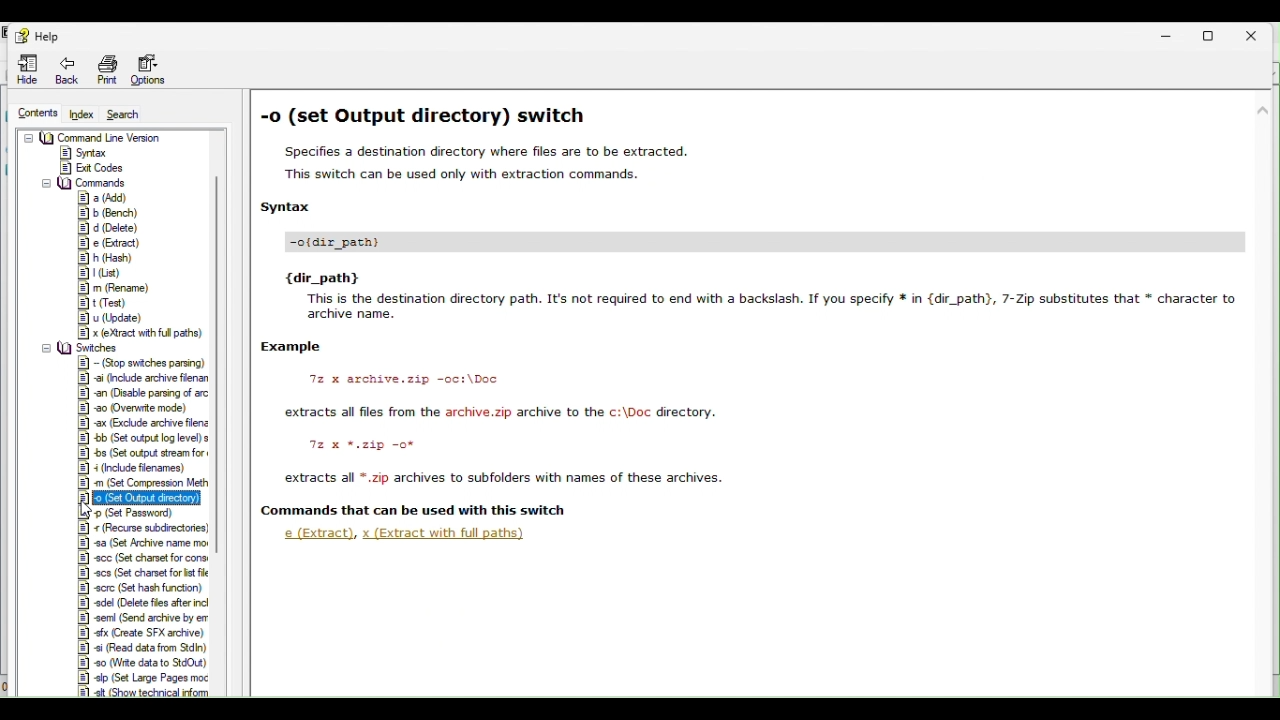 This screenshot has width=1280, height=720. I want to click on Exclude archive, so click(138, 423).